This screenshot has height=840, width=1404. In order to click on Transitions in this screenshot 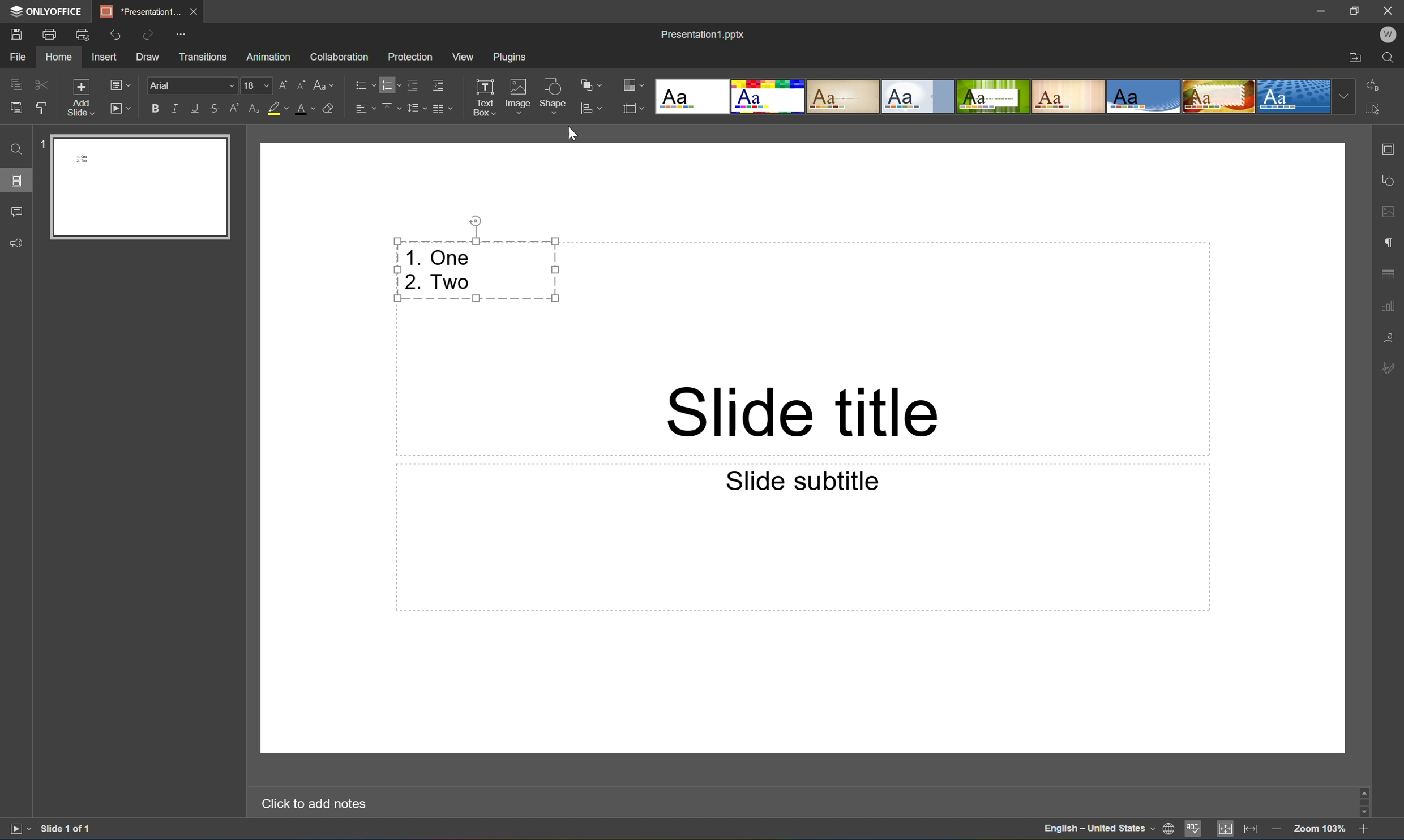, I will do `click(204, 57)`.